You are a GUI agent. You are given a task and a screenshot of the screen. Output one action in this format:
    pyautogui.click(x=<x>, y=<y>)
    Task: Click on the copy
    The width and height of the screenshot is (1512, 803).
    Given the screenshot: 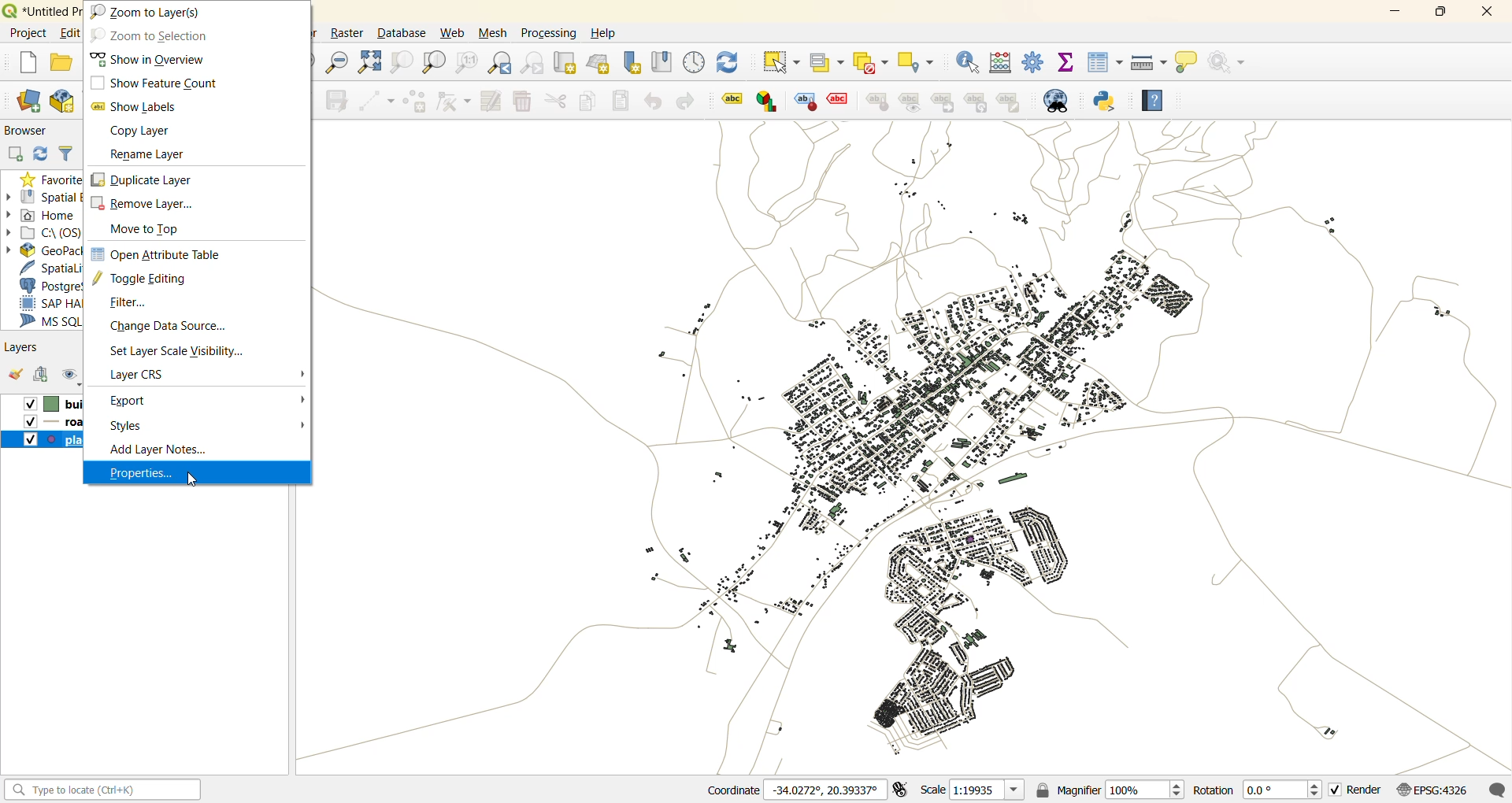 What is the action you would take?
    pyautogui.click(x=591, y=102)
    